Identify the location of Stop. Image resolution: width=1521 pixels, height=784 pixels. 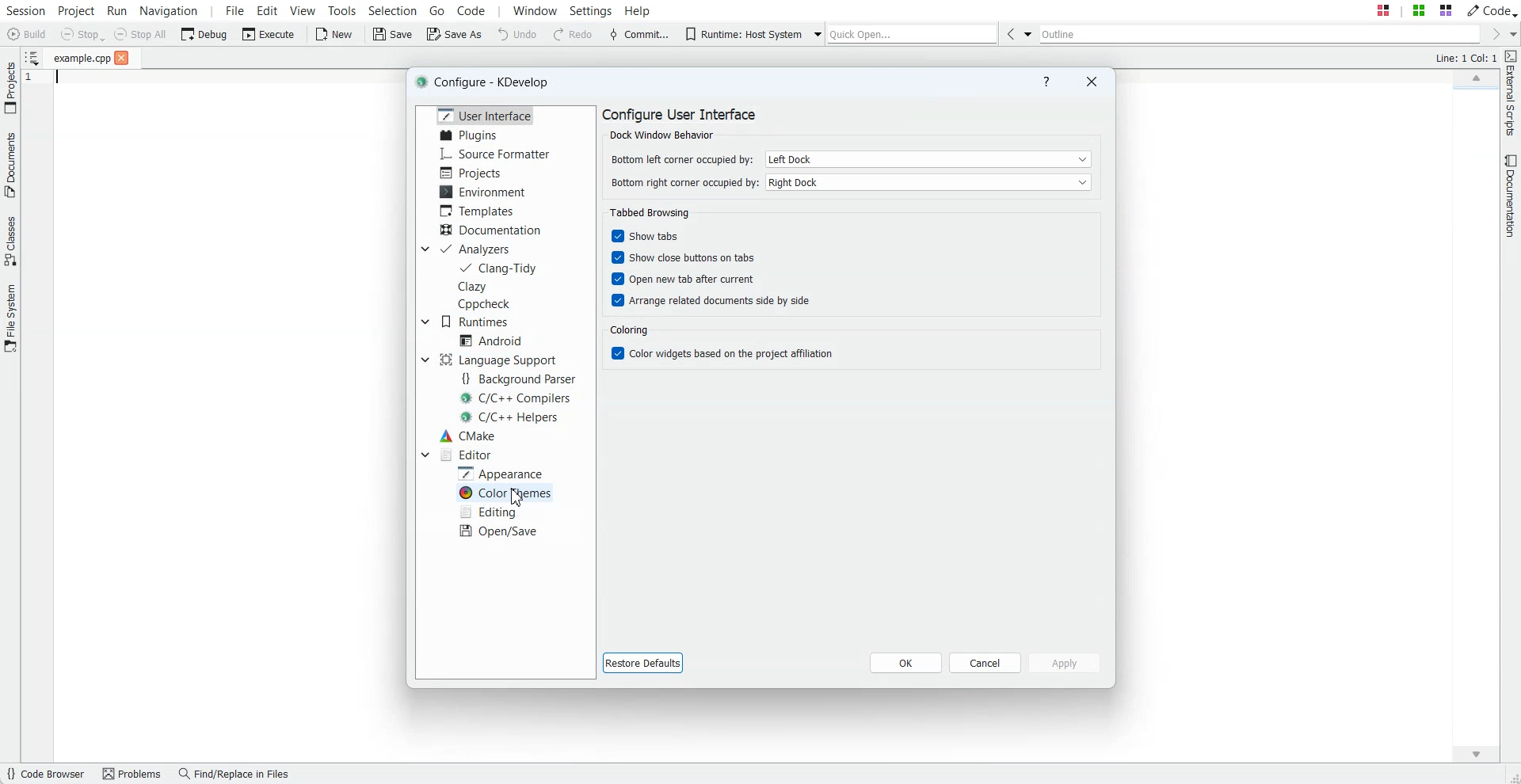
(82, 35).